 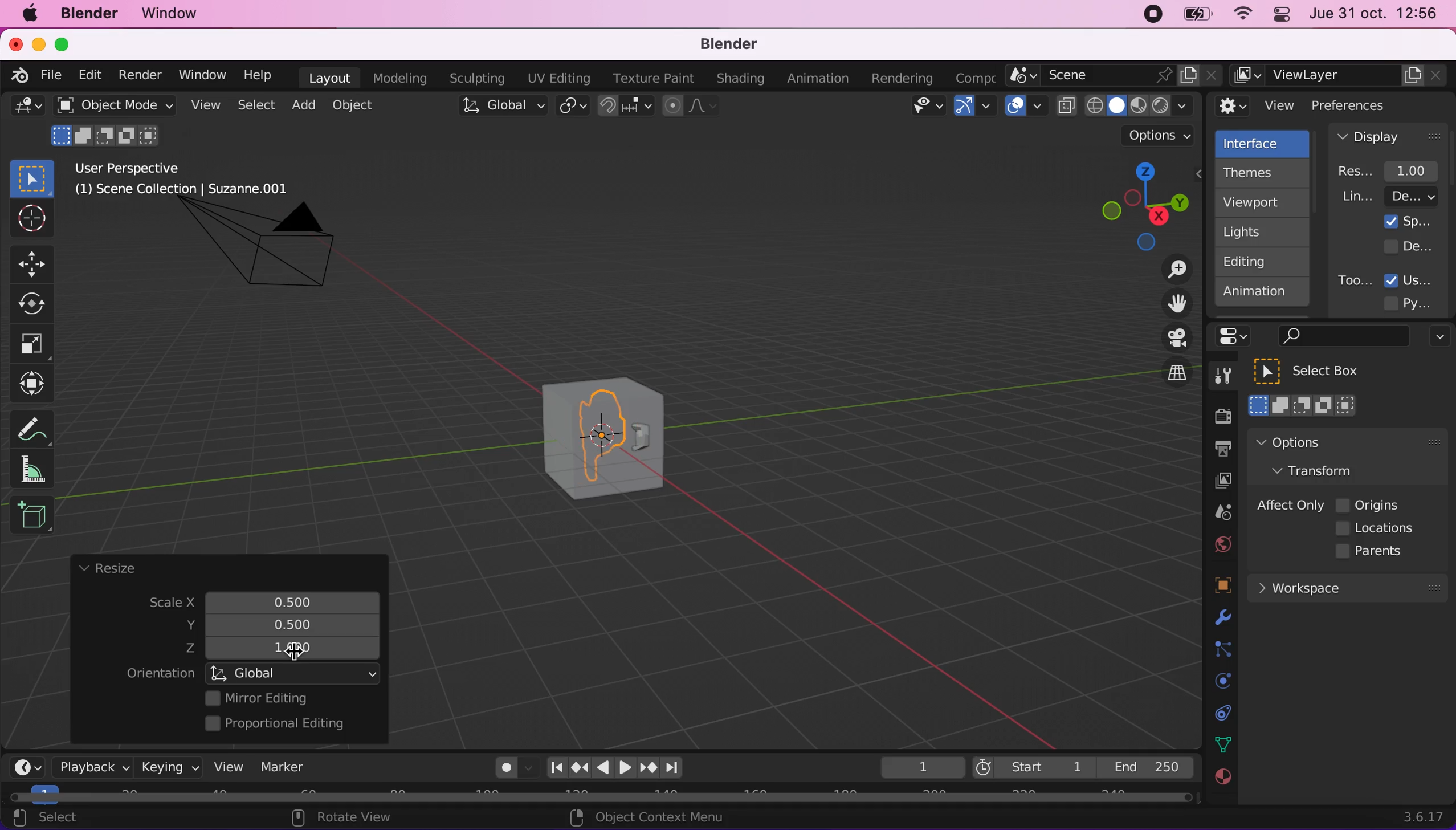 I want to click on global, so click(x=295, y=673).